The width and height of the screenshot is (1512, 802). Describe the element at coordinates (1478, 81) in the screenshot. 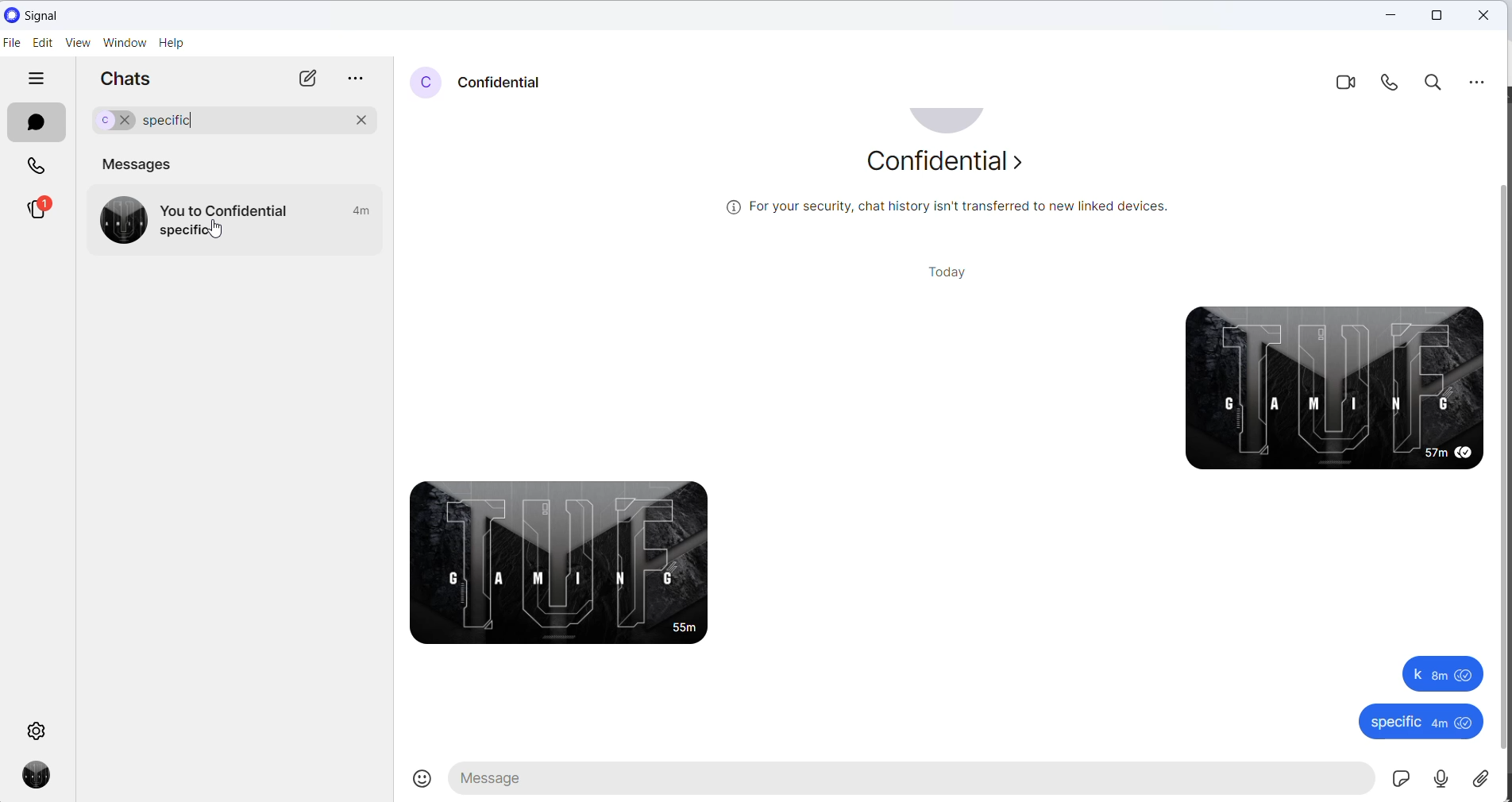

I see `more options` at that location.